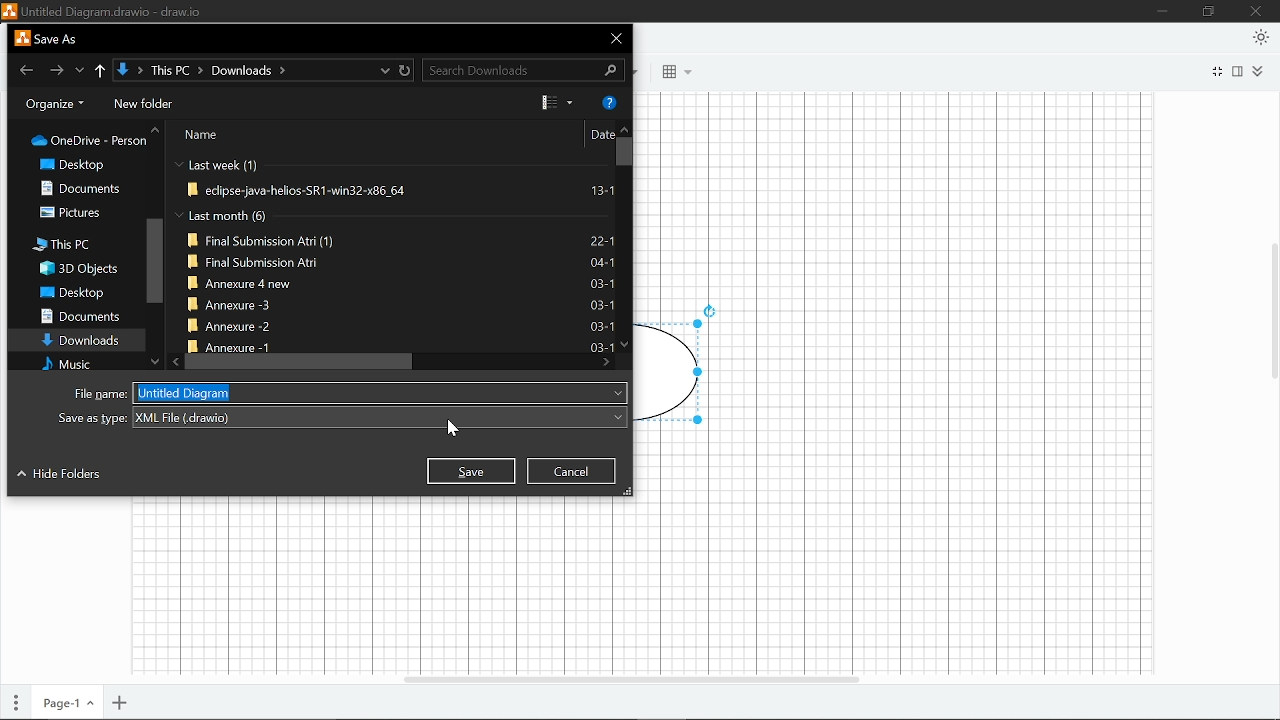 The height and width of the screenshot is (720, 1280). Describe the element at coordinates (606, 362) in the screenshot. I see `move right` at that location.